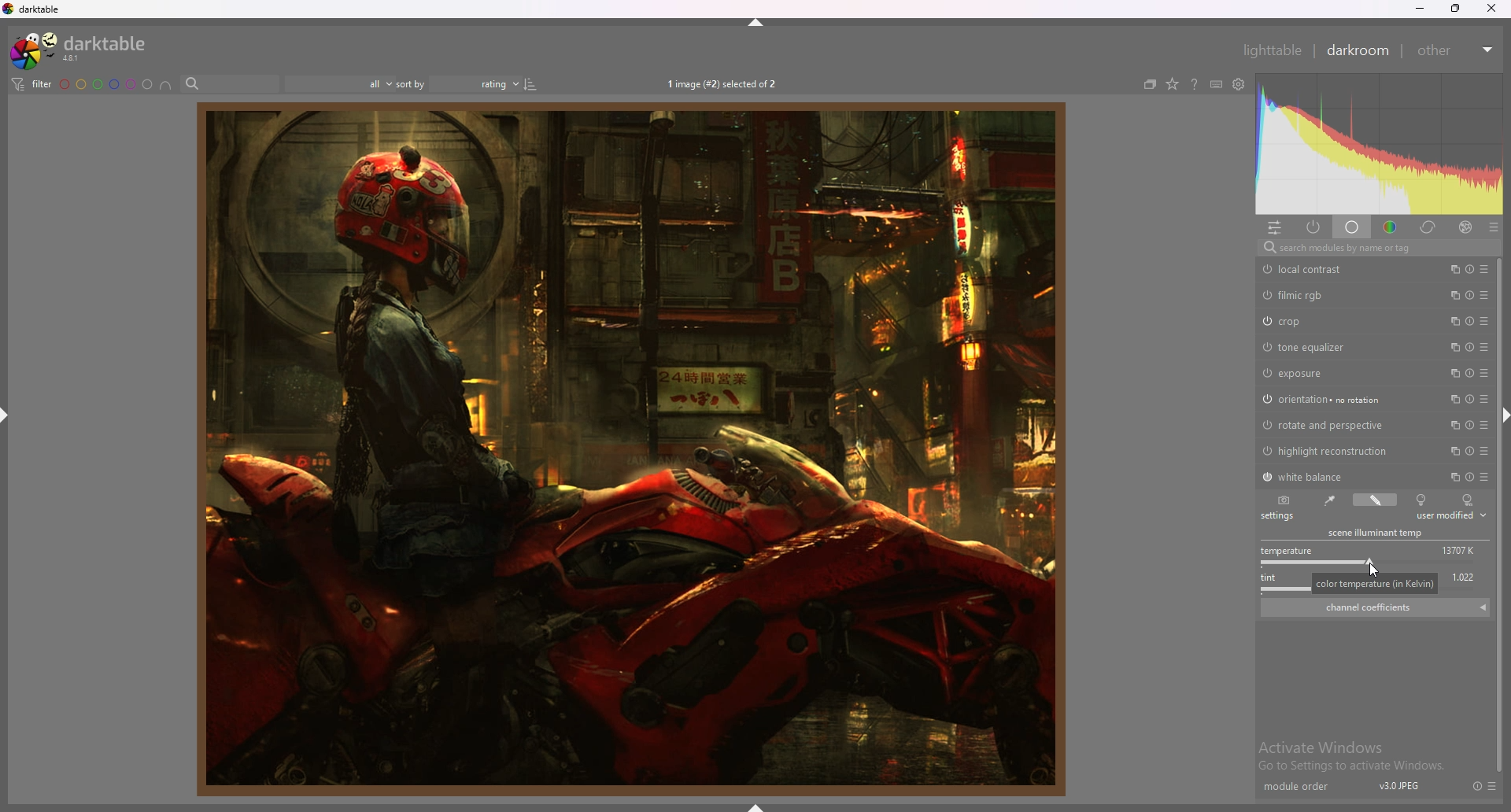 The image size is (1511, 812). What do you see at coordinates (165, 85) in the screenshot?
I see `including color label` at bounding box center [165, 85].